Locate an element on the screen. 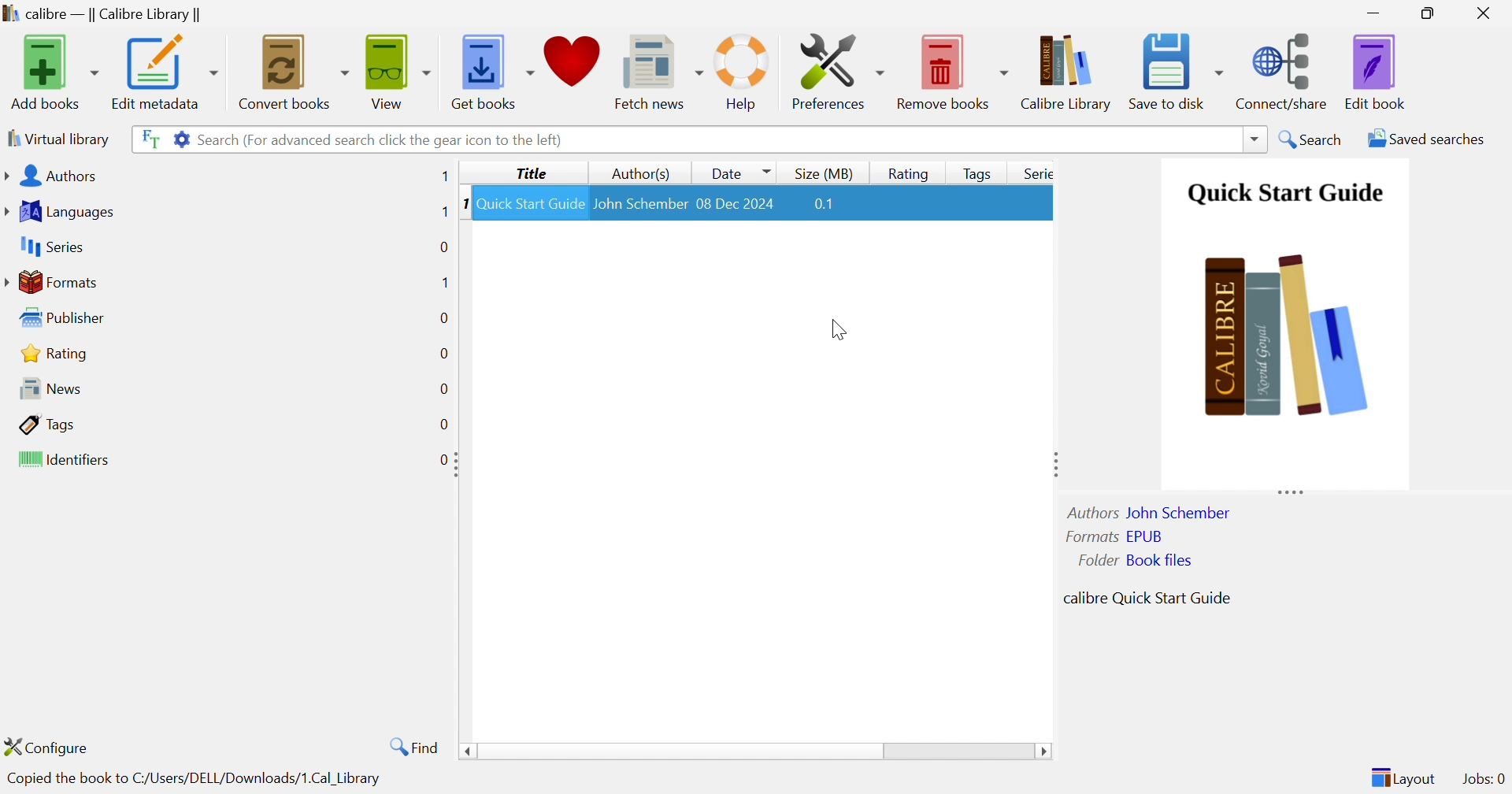 This screenshot has height=794, width=1512. 0 is located at coordinates (443, 319).